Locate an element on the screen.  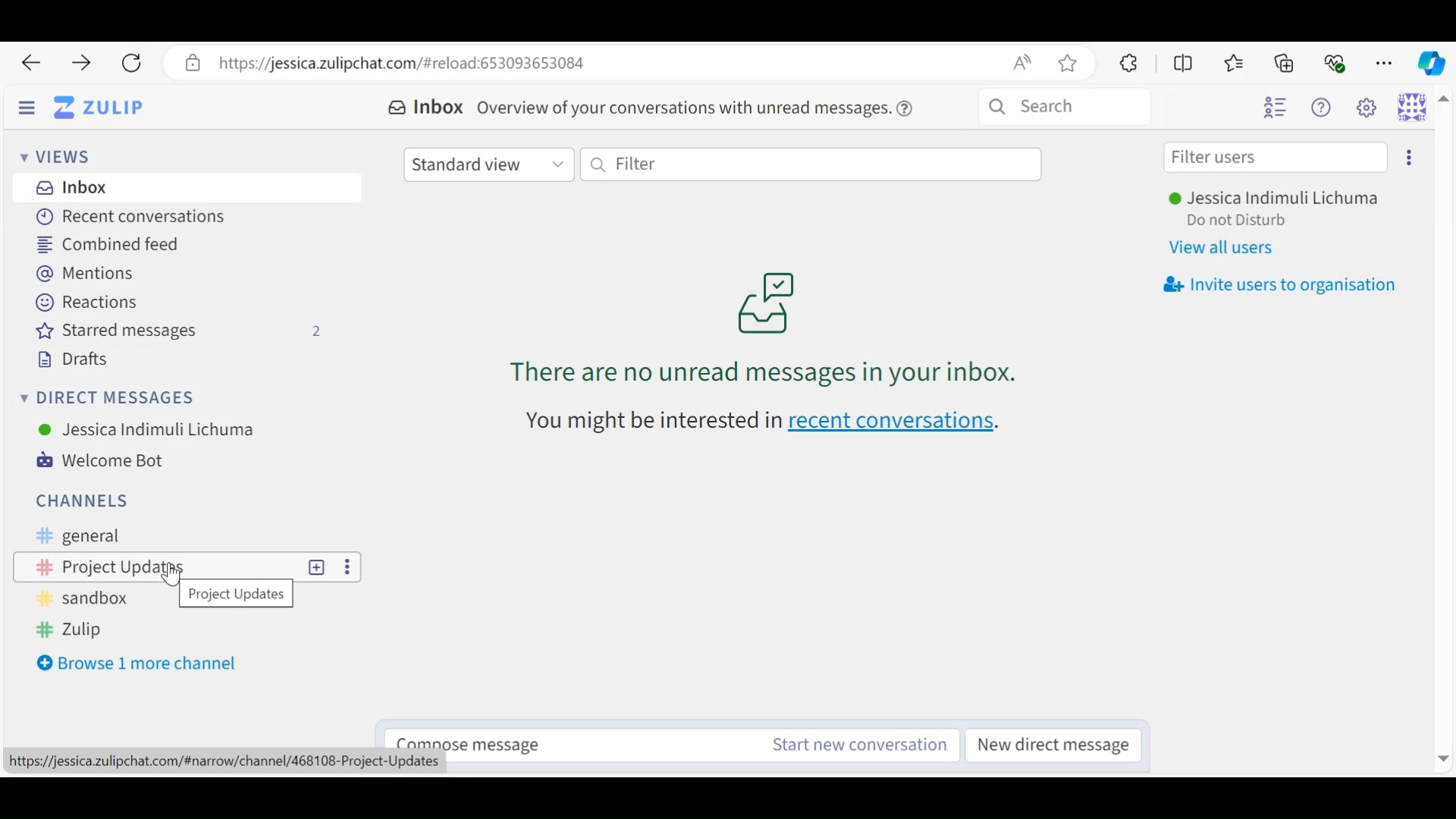
New Topic is located at coordinates (316, 566).